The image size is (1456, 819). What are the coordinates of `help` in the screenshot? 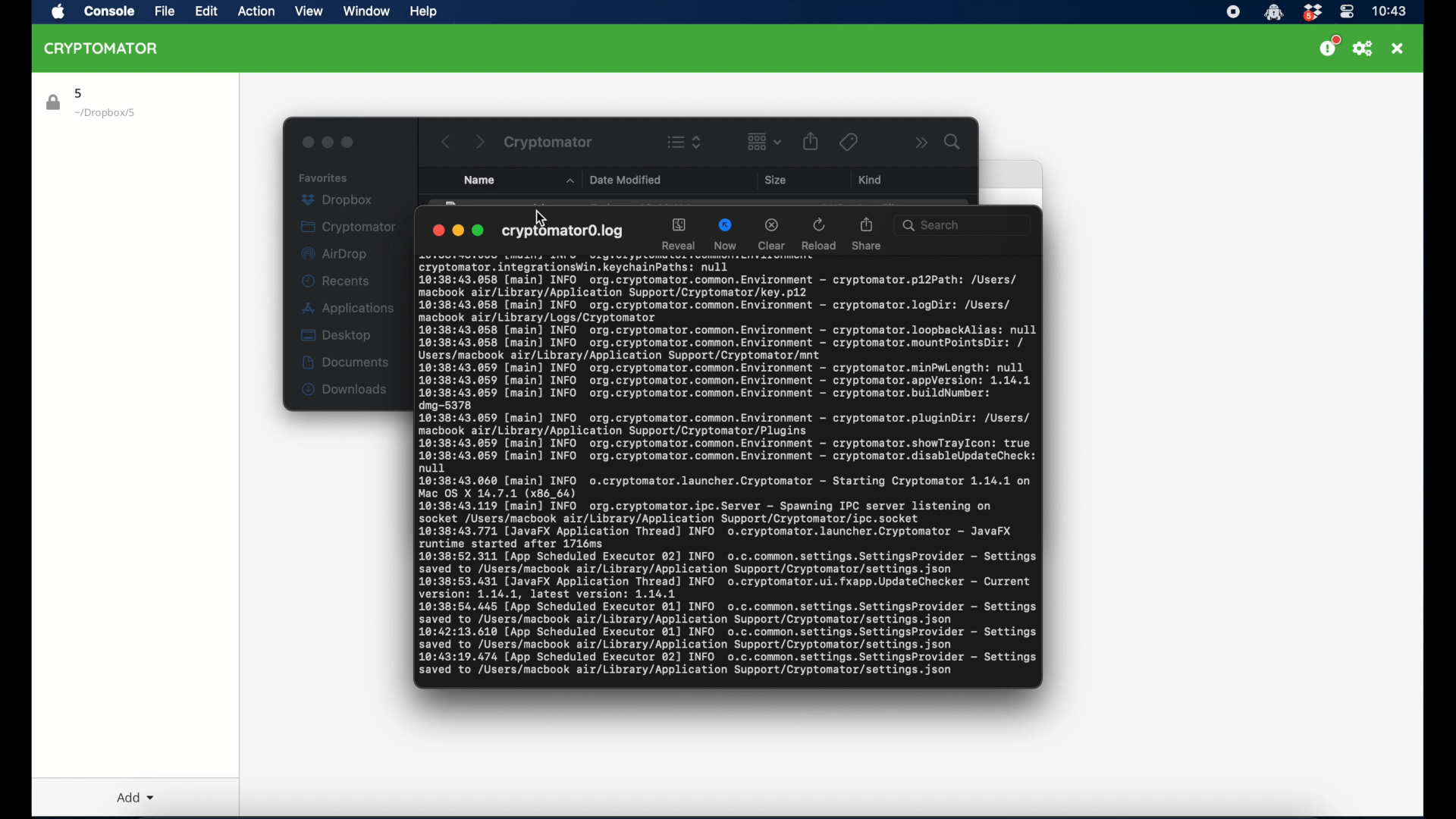 It's located at (427, 13).